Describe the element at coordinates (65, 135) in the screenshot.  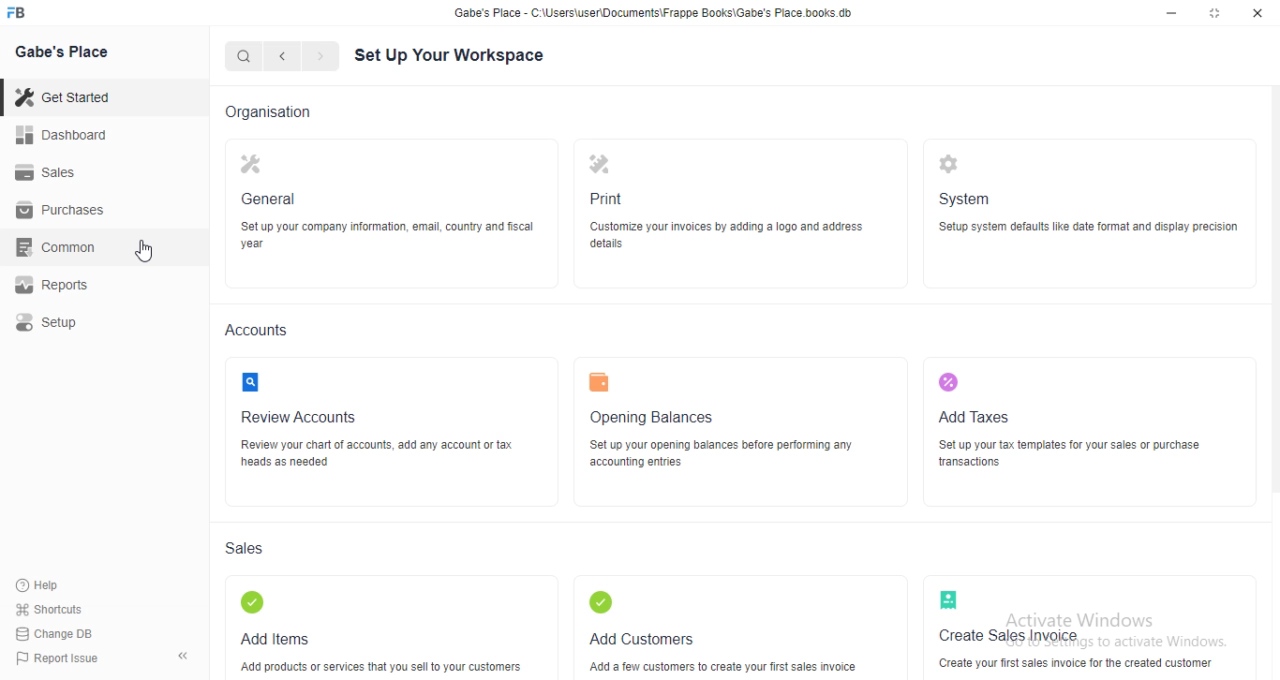
I see `Dashboard` at that location.